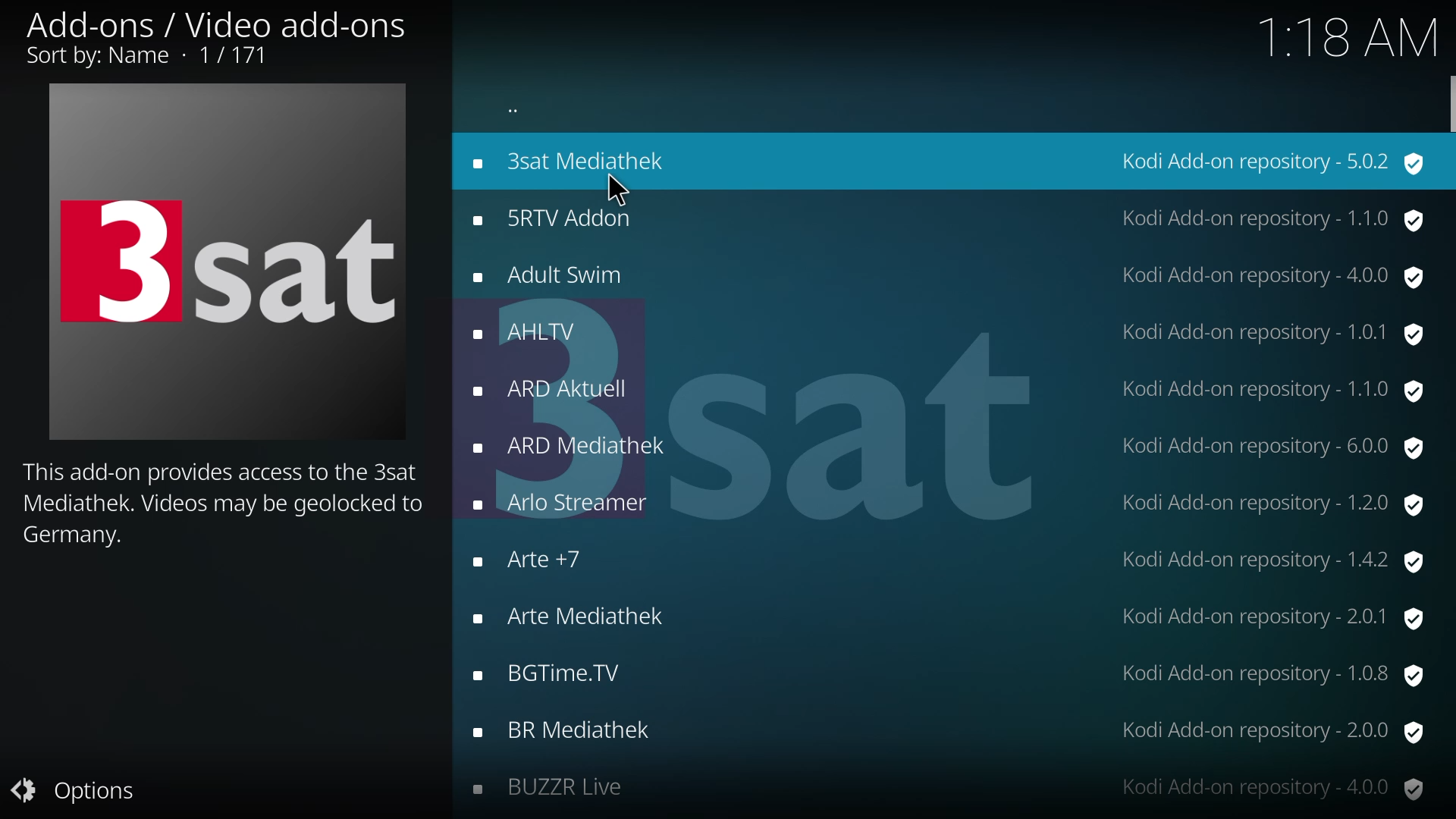 The height and width of the screenshot is (819, 1456). Describe the element at coordinates (80, 787) in the screenshot. I see `options` at that location.